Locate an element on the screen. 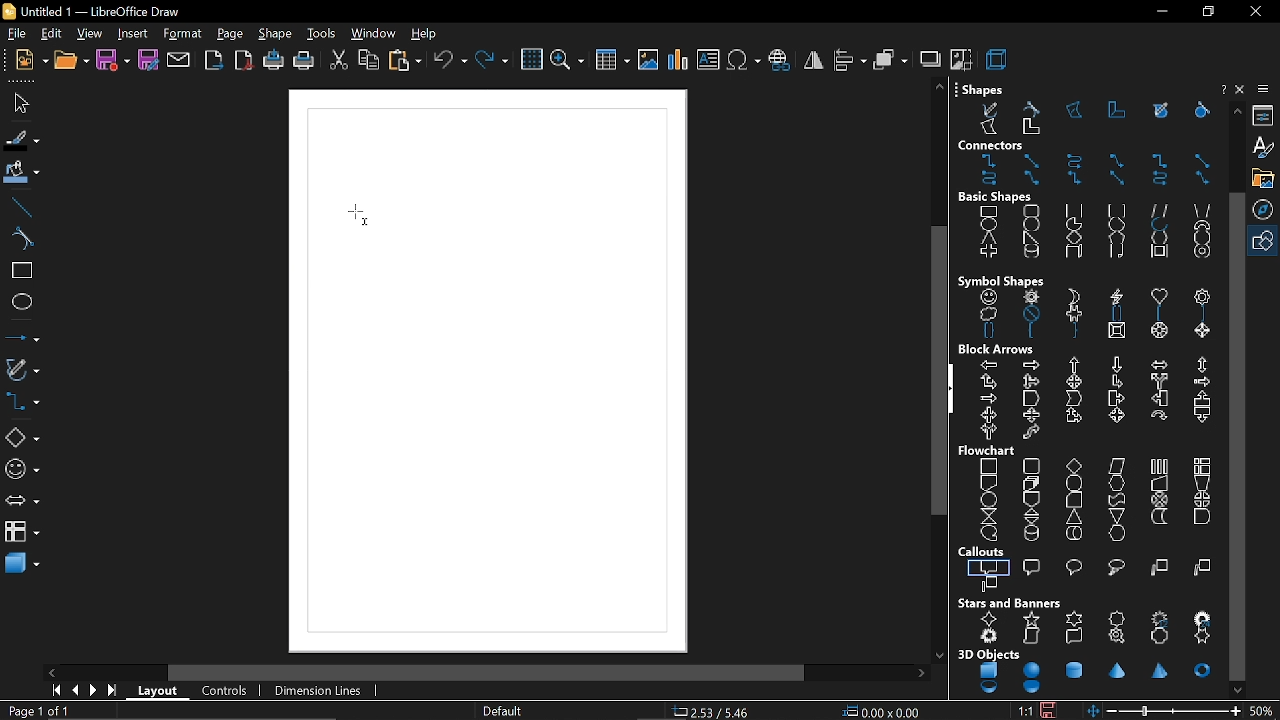  left arrow callout is located at coordinates (1159, 398).